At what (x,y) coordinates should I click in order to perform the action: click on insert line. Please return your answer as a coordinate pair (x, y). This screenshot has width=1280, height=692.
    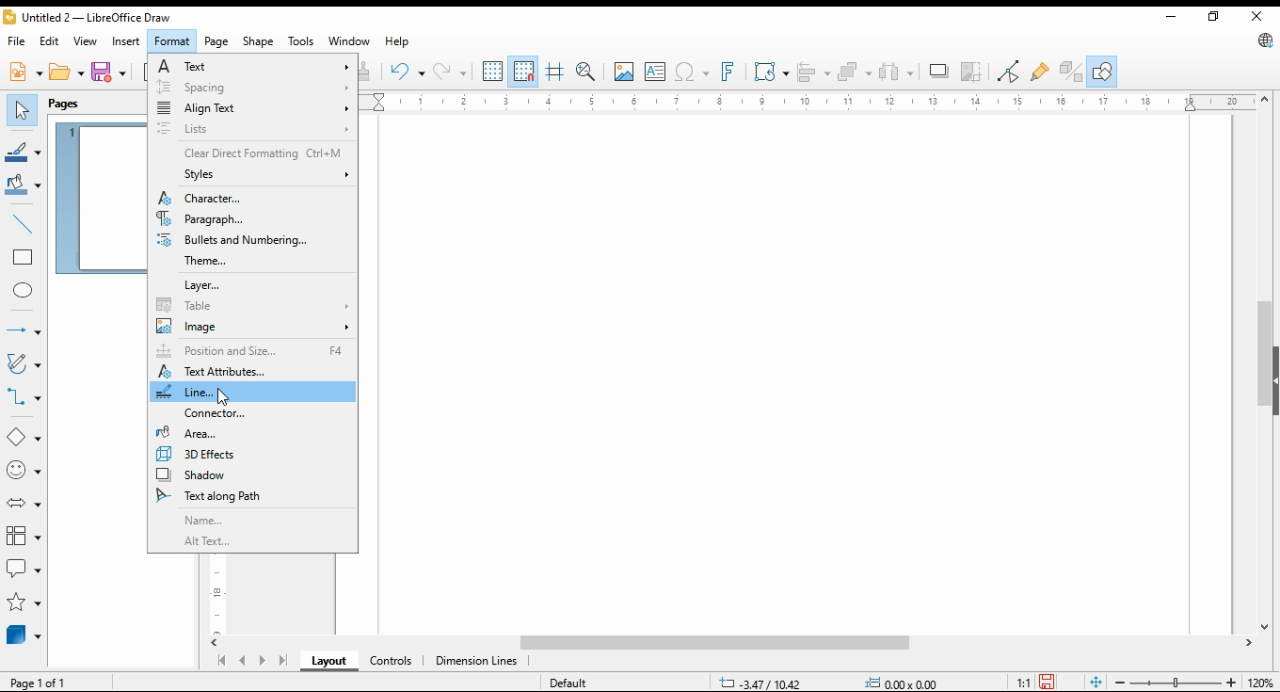
    Looking at the image, I should click on (24, 224).